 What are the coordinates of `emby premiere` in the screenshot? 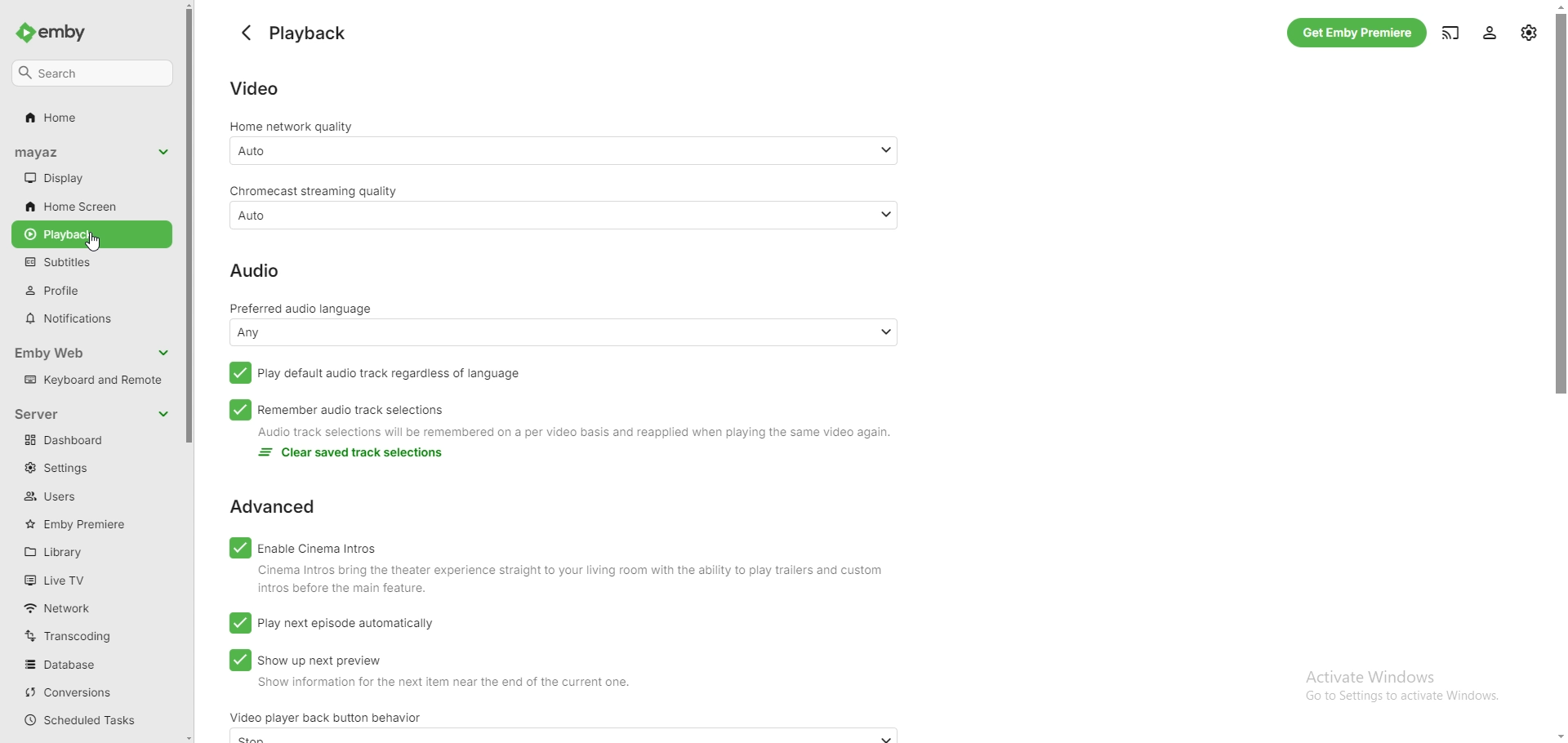 It's located at (89, 524).